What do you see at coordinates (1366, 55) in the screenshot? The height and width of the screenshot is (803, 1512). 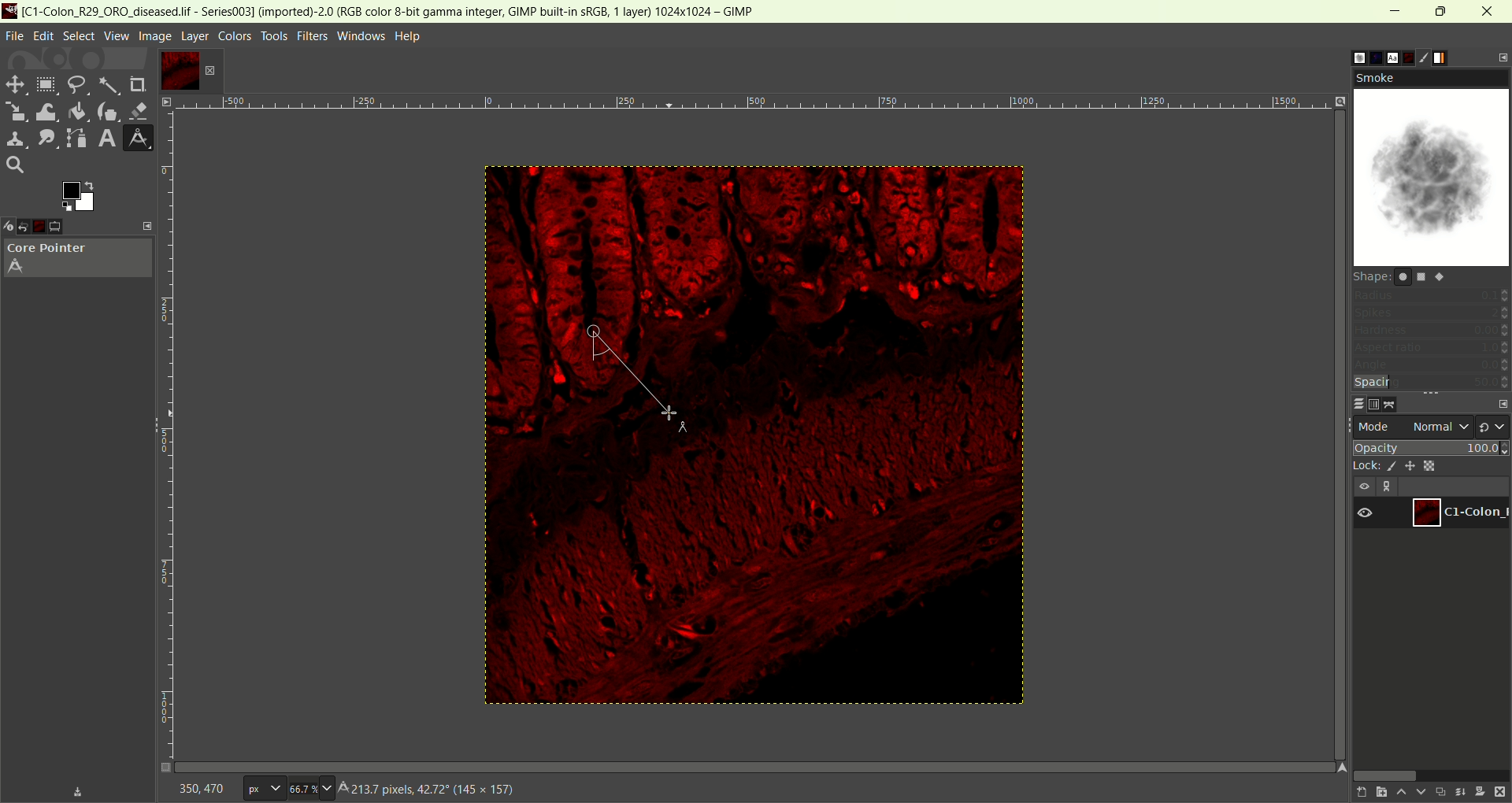 I see `pattern` at bounding box center [1366, 55].